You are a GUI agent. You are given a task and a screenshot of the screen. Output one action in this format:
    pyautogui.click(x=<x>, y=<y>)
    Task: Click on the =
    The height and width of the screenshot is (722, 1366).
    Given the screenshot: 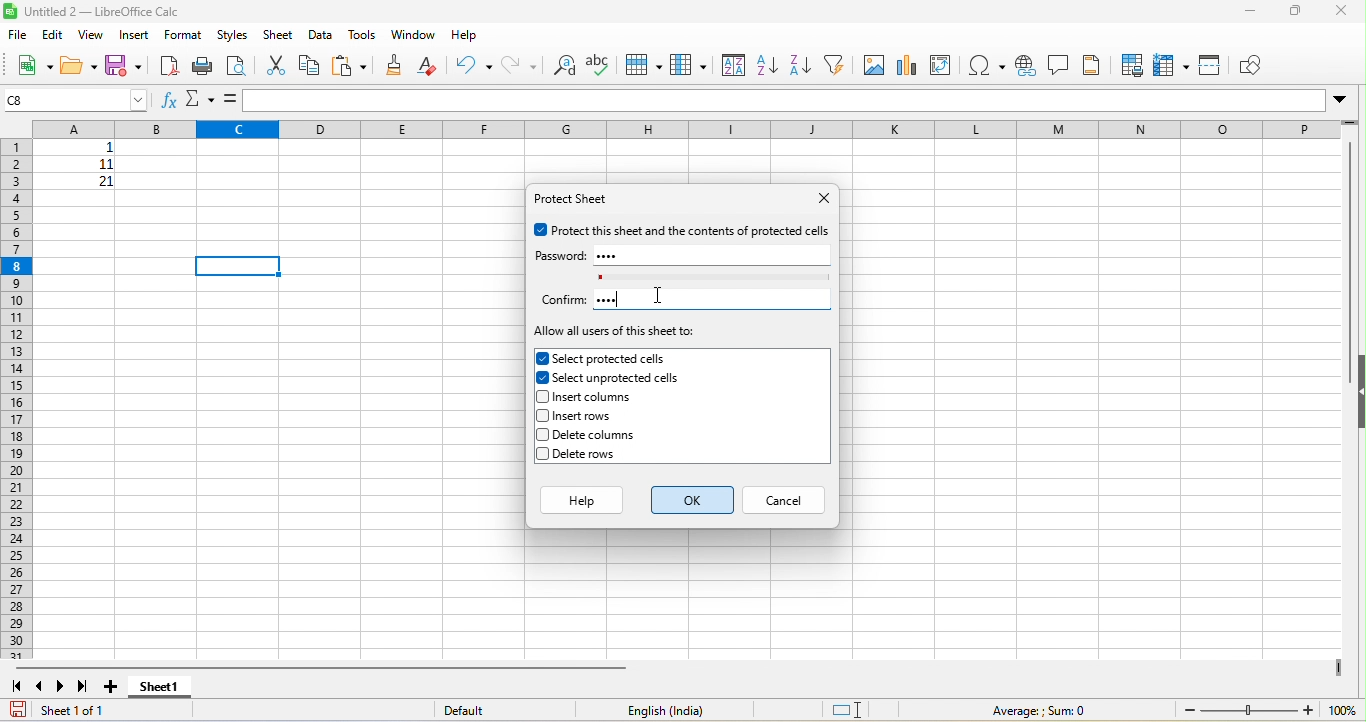 What is the action you would take?
    pyautogui.click(x=230, y=99)
    